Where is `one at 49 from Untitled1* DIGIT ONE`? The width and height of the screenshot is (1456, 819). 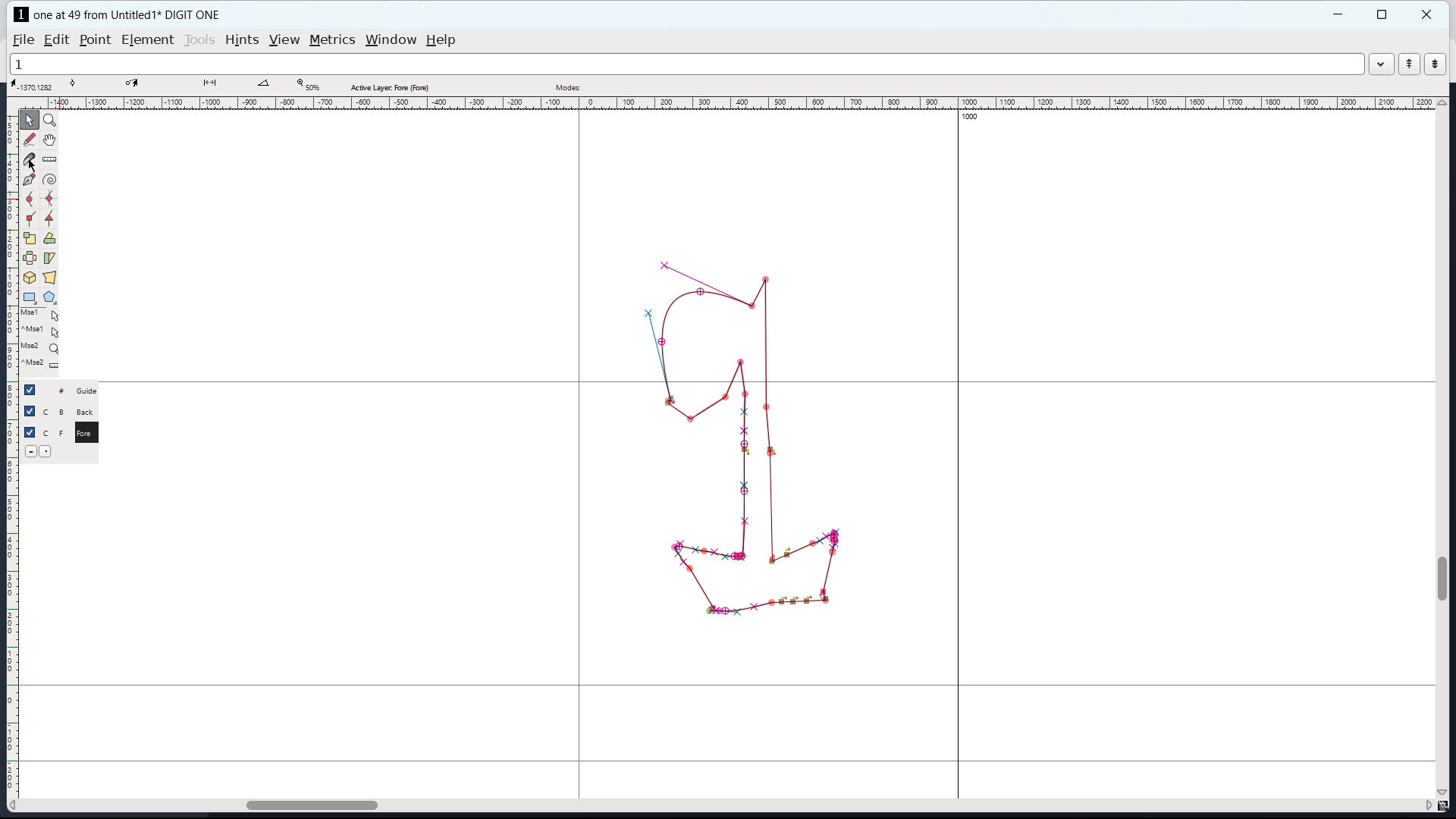
one at 49 from Untitled1* DIGIT ONE is located at coordinates (135, 14).